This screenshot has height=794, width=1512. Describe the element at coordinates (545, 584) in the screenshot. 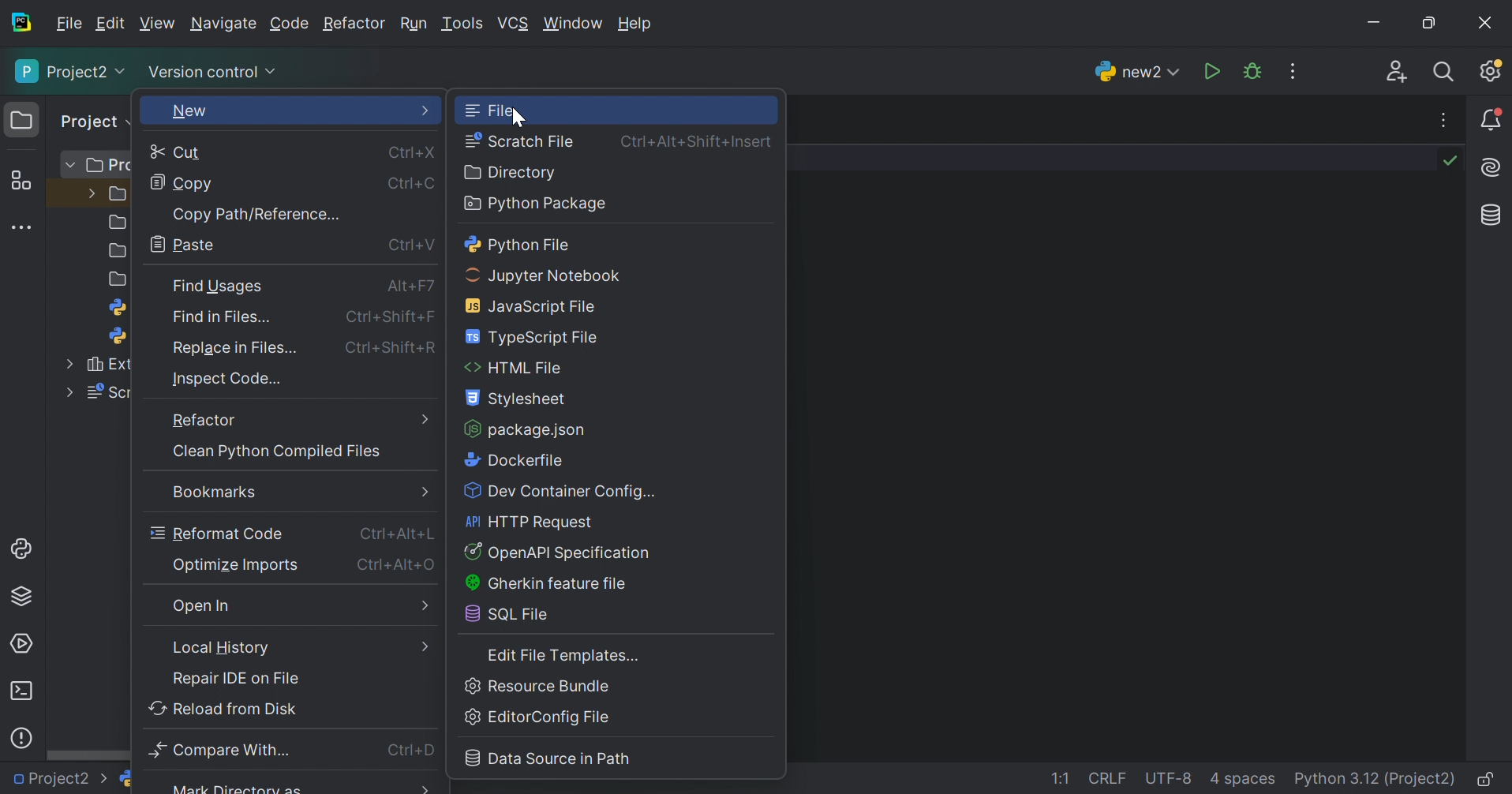

I see `Gherkin feature file` at that location.